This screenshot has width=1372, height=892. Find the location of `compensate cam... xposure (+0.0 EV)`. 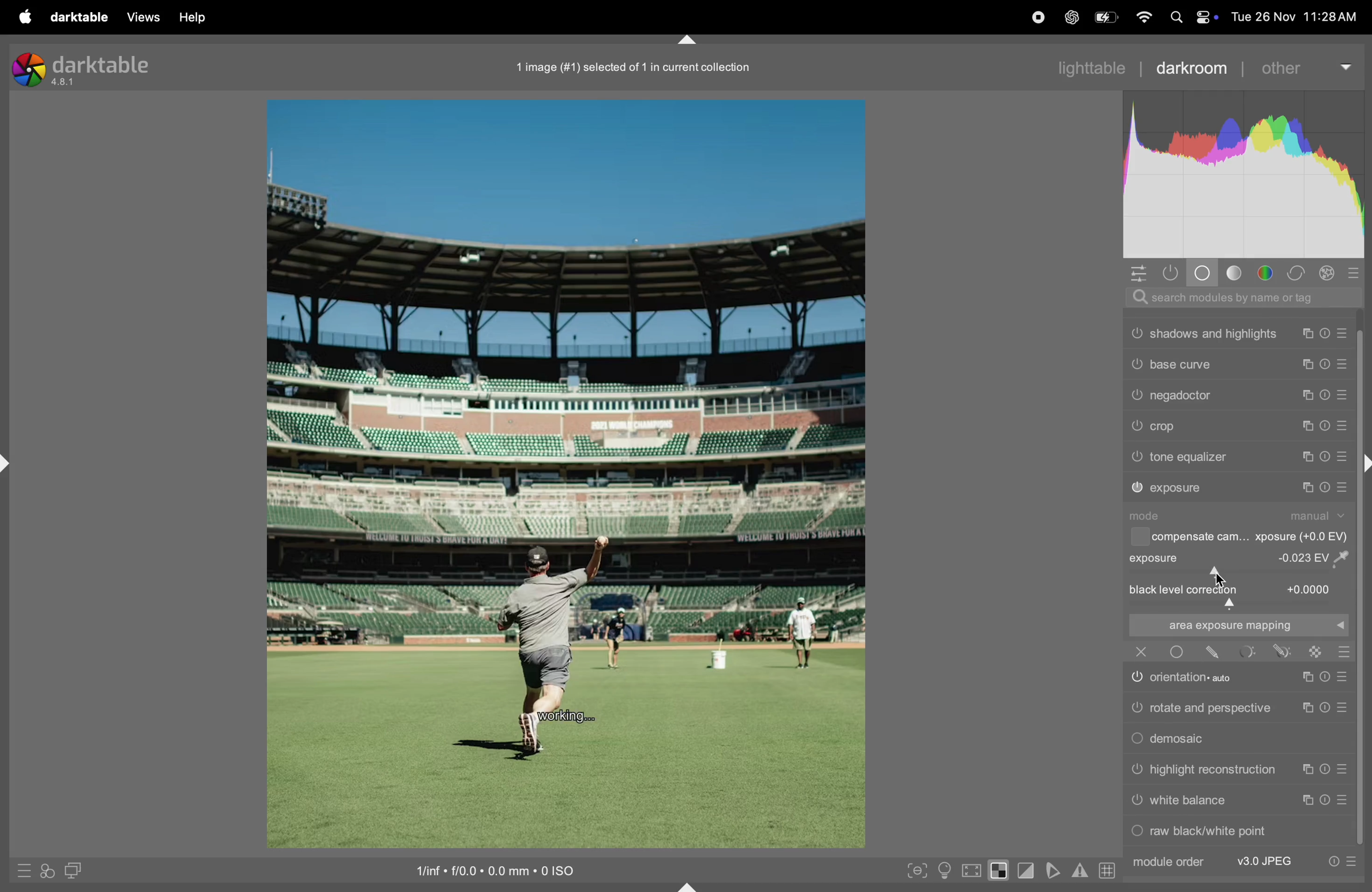

compensate cam... xposure (+0.0 EV) is located at coordinates (1252, 538).